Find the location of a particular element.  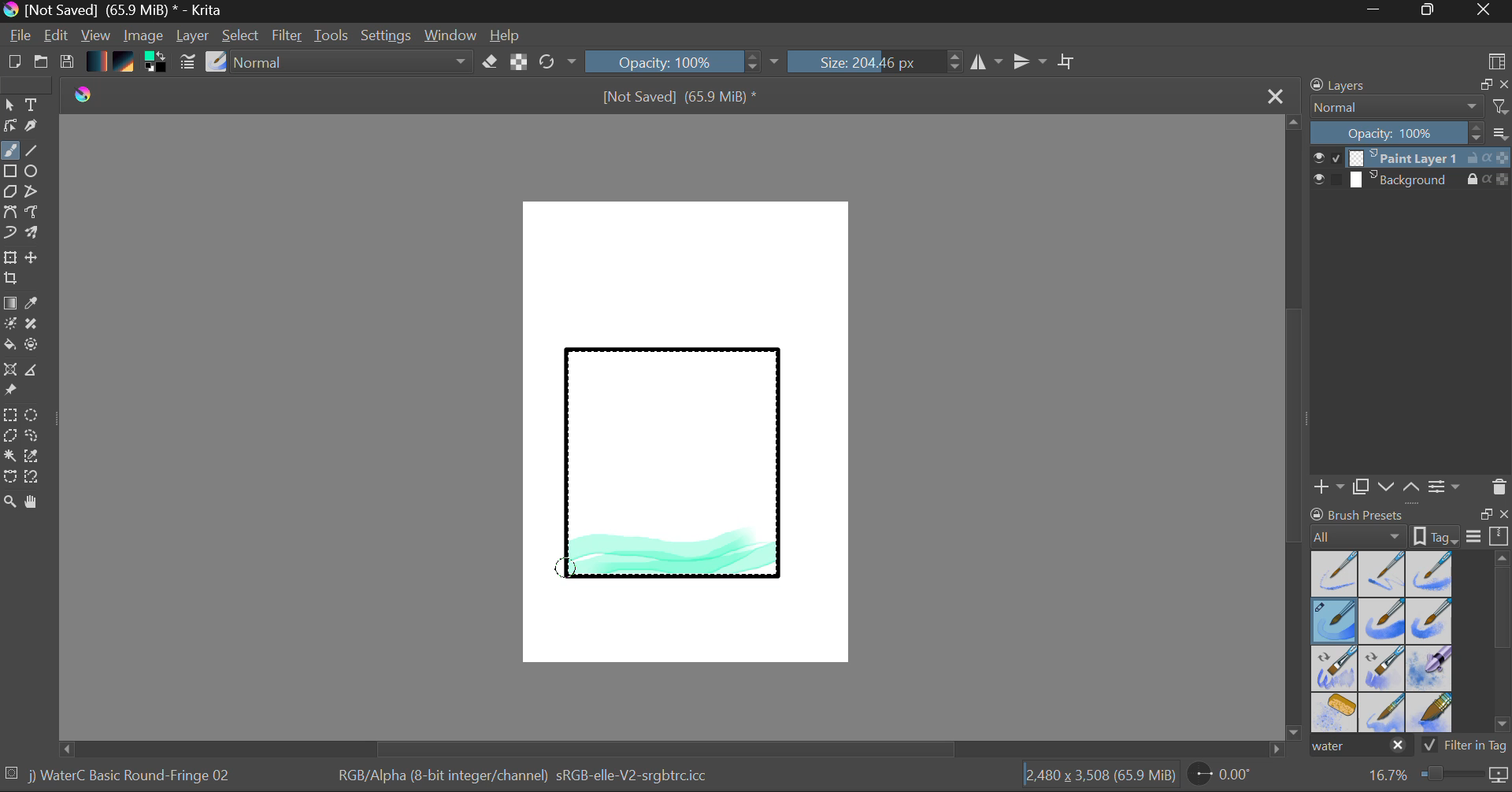

Polygon Selection Tool is located at coordinates (9, 436).